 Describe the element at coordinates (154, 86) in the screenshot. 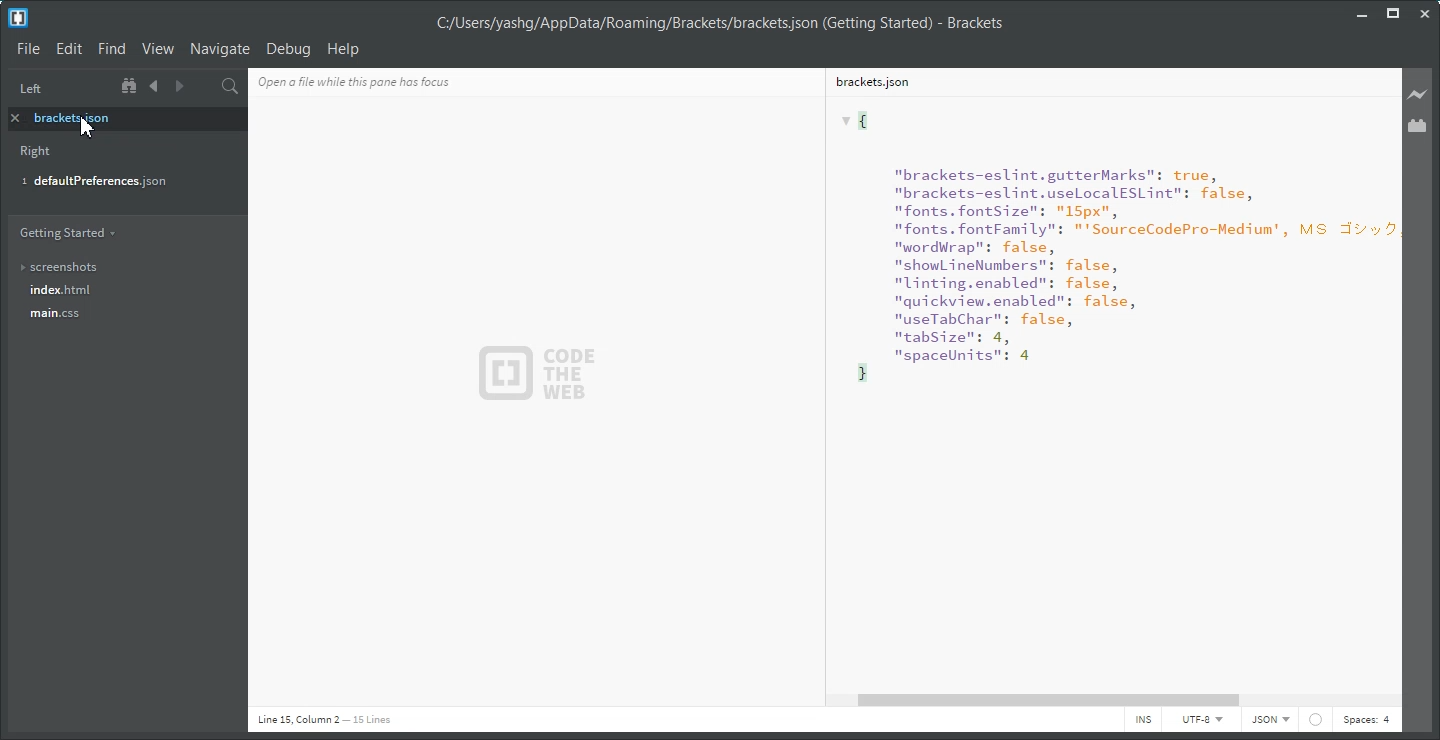

I see `Navigate Backward` at that location.